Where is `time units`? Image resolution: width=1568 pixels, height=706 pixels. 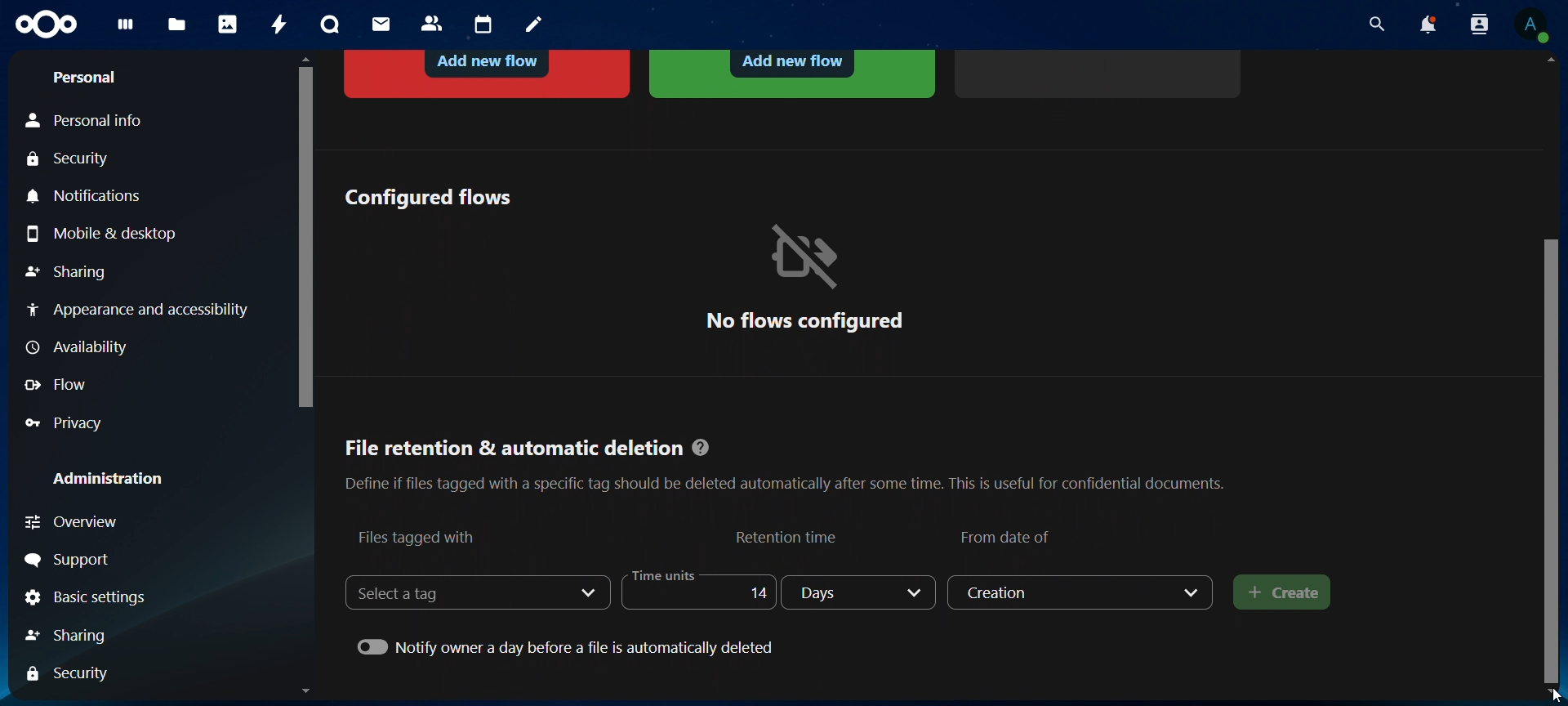 time units is located at coordinates (694, 591).